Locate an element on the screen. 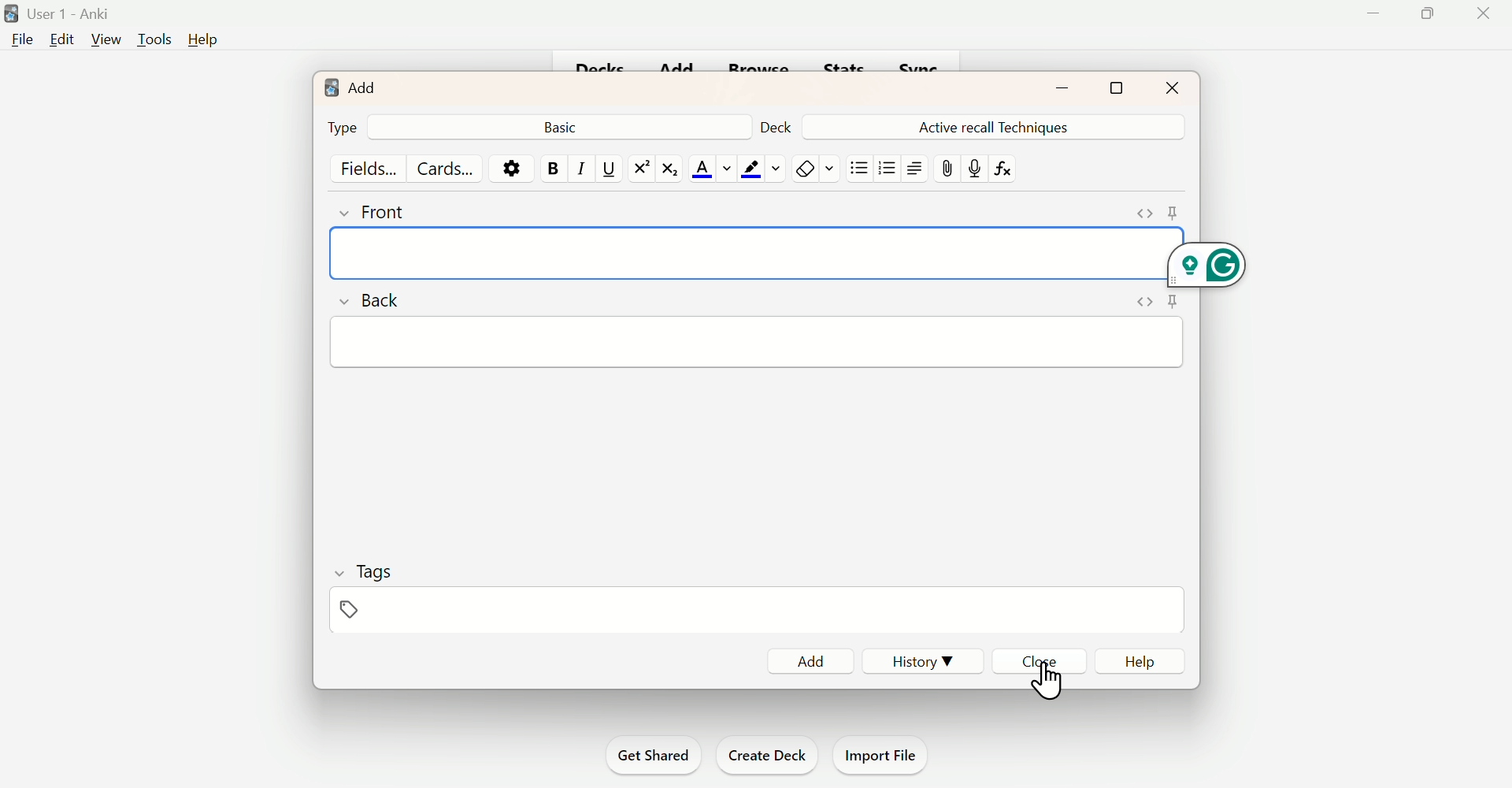 The image size is (1512, 788). Text Alignment is located at coordinates (913, 167).